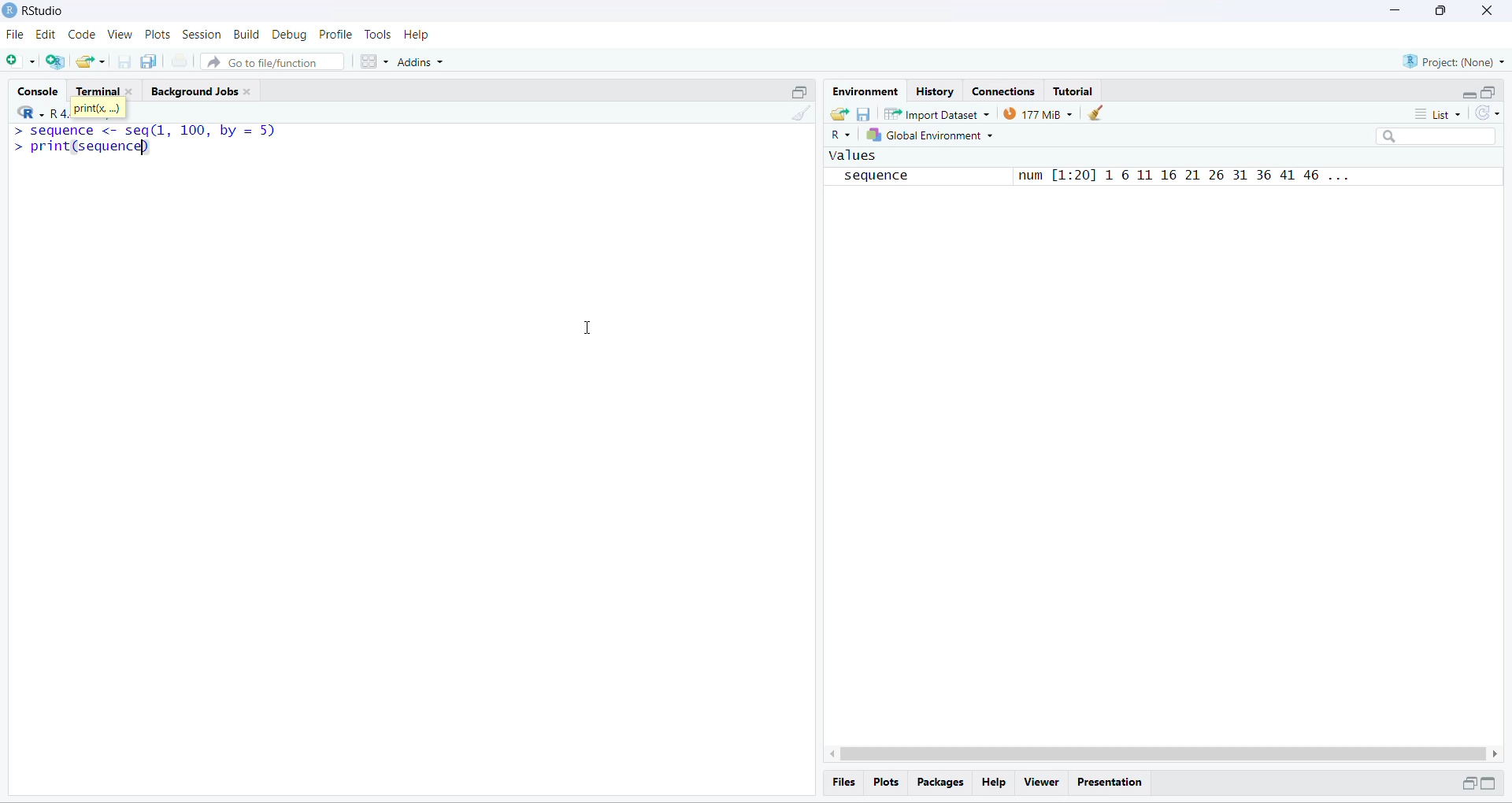 The height and width of the screenshot is (803, 1512). I want to click on RStudio, so click(45, 10).